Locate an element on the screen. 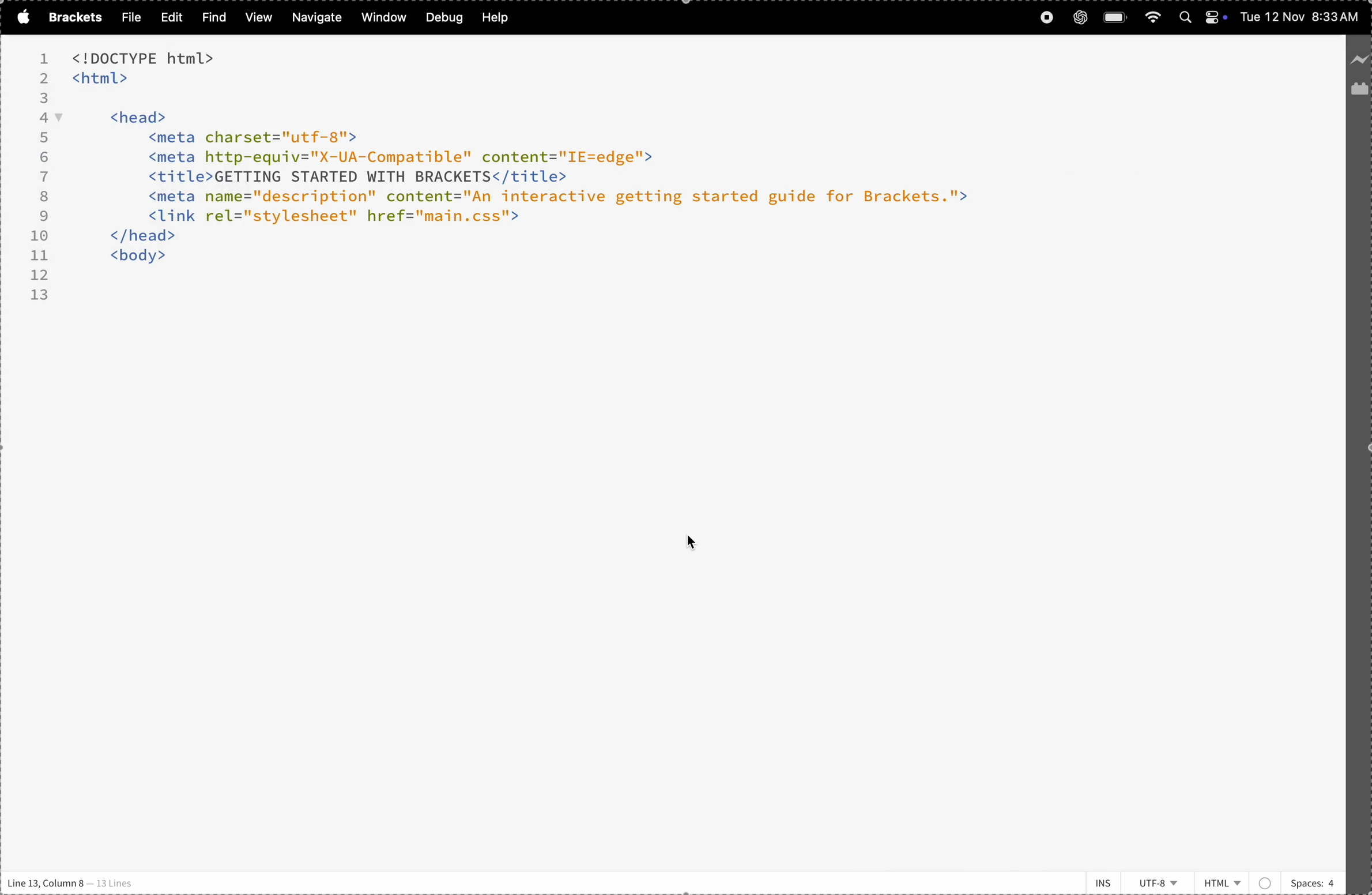  chatgpt is located at coordinates (1080, 17).